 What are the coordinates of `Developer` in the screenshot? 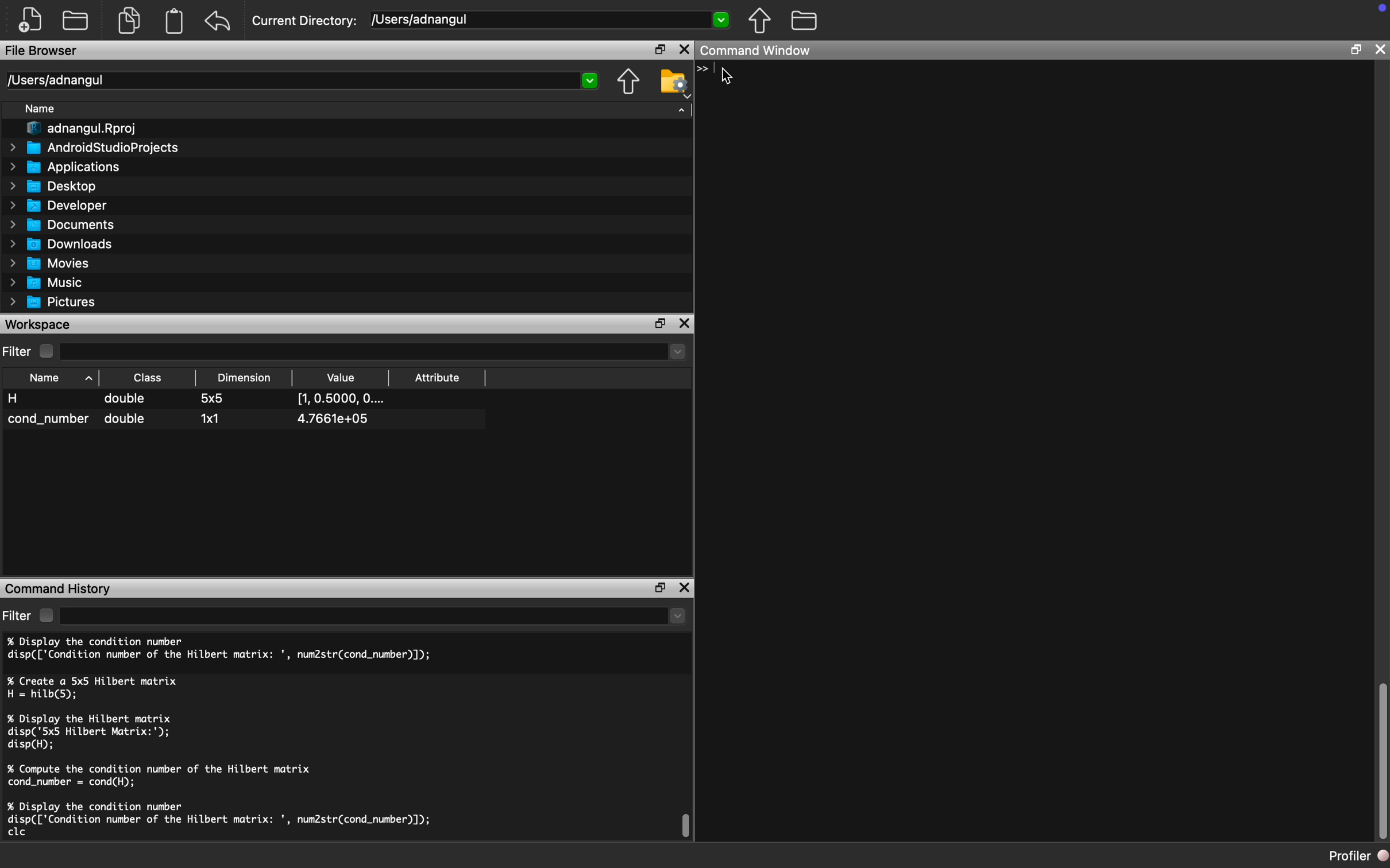 It's located at (57, 205).